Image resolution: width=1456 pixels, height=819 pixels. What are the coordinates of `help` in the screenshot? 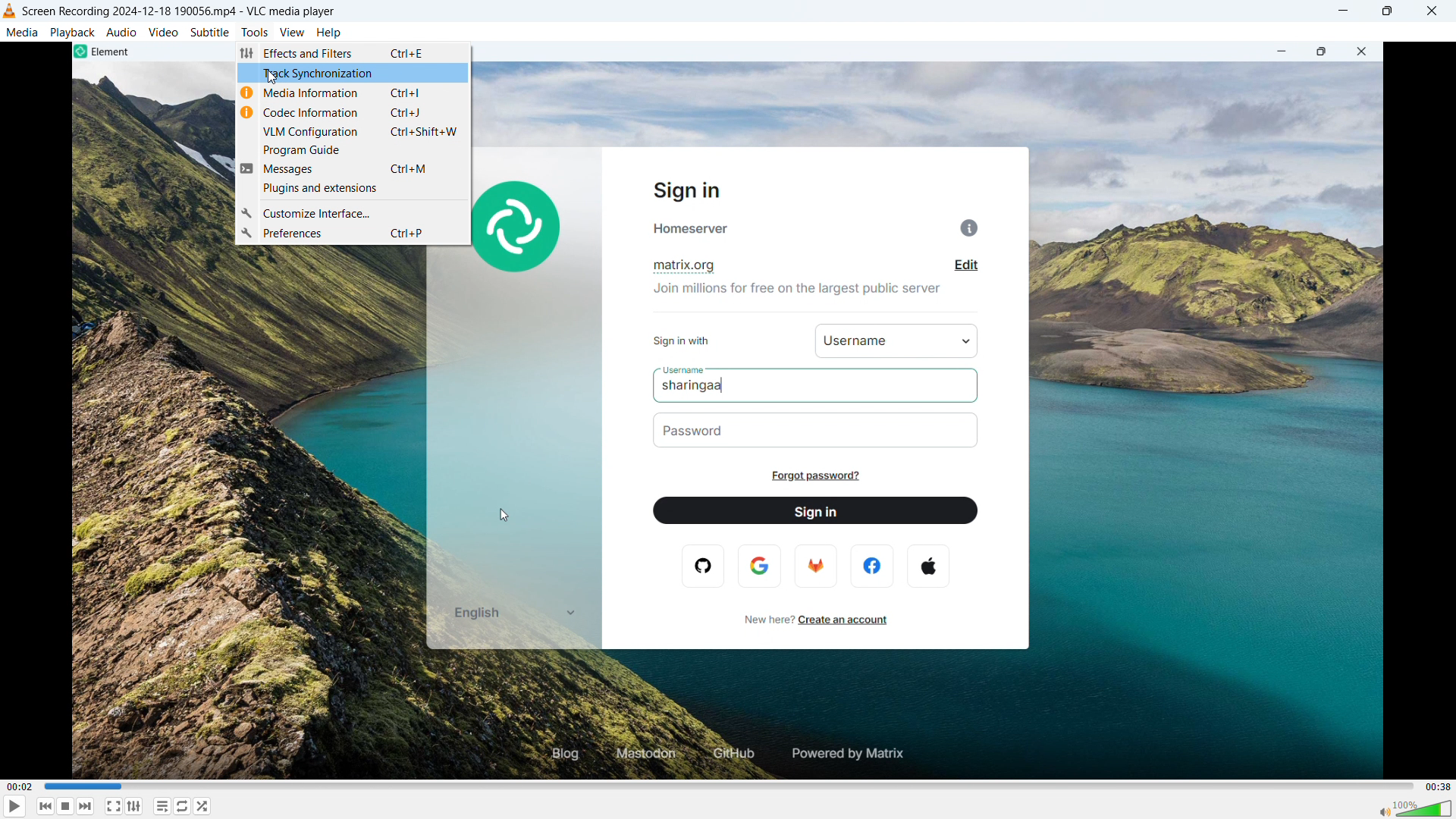 It's located at (331, 32).